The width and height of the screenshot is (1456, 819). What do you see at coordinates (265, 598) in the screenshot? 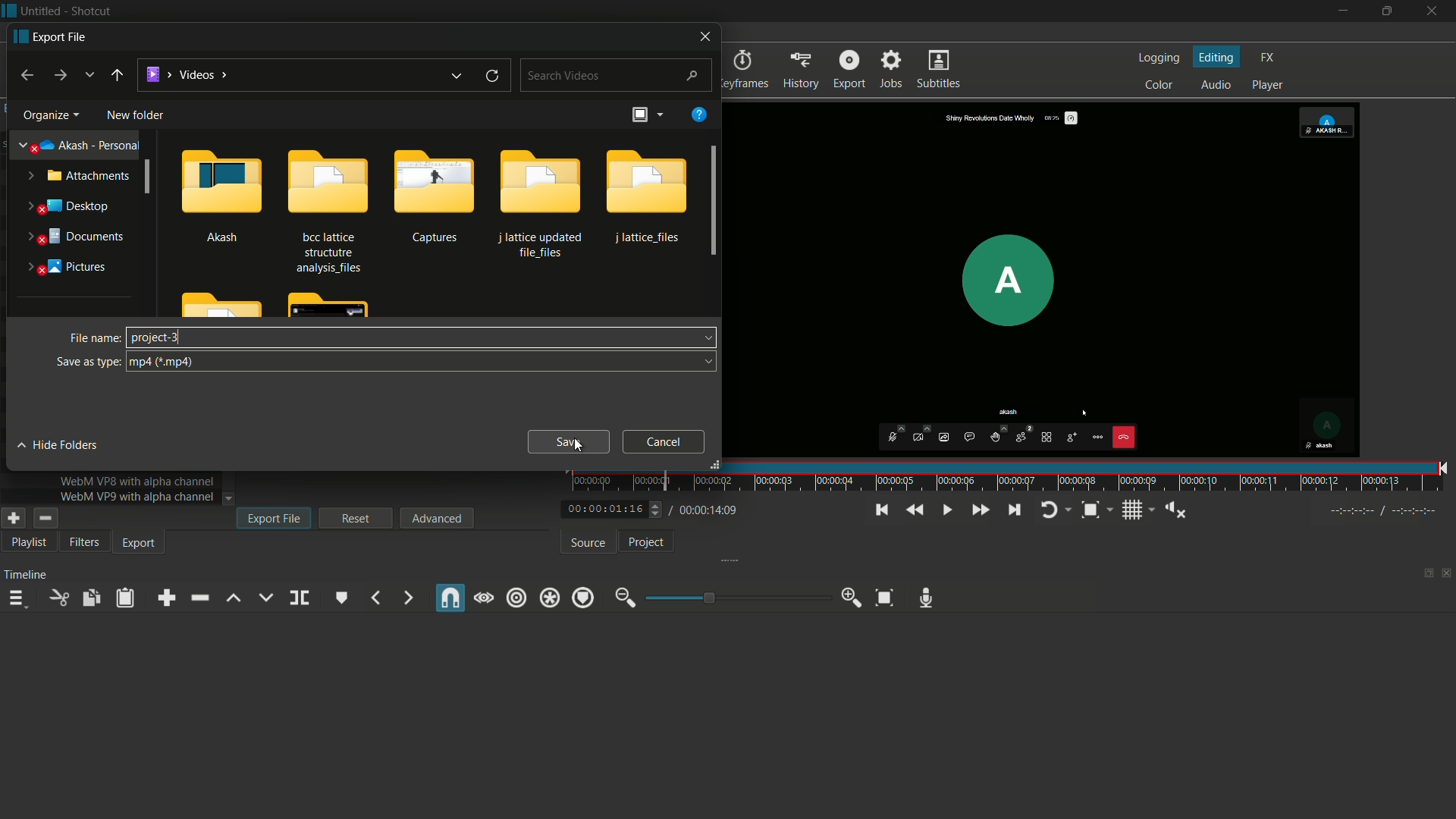
I see `overwrite` at bounding box center [265, 598].